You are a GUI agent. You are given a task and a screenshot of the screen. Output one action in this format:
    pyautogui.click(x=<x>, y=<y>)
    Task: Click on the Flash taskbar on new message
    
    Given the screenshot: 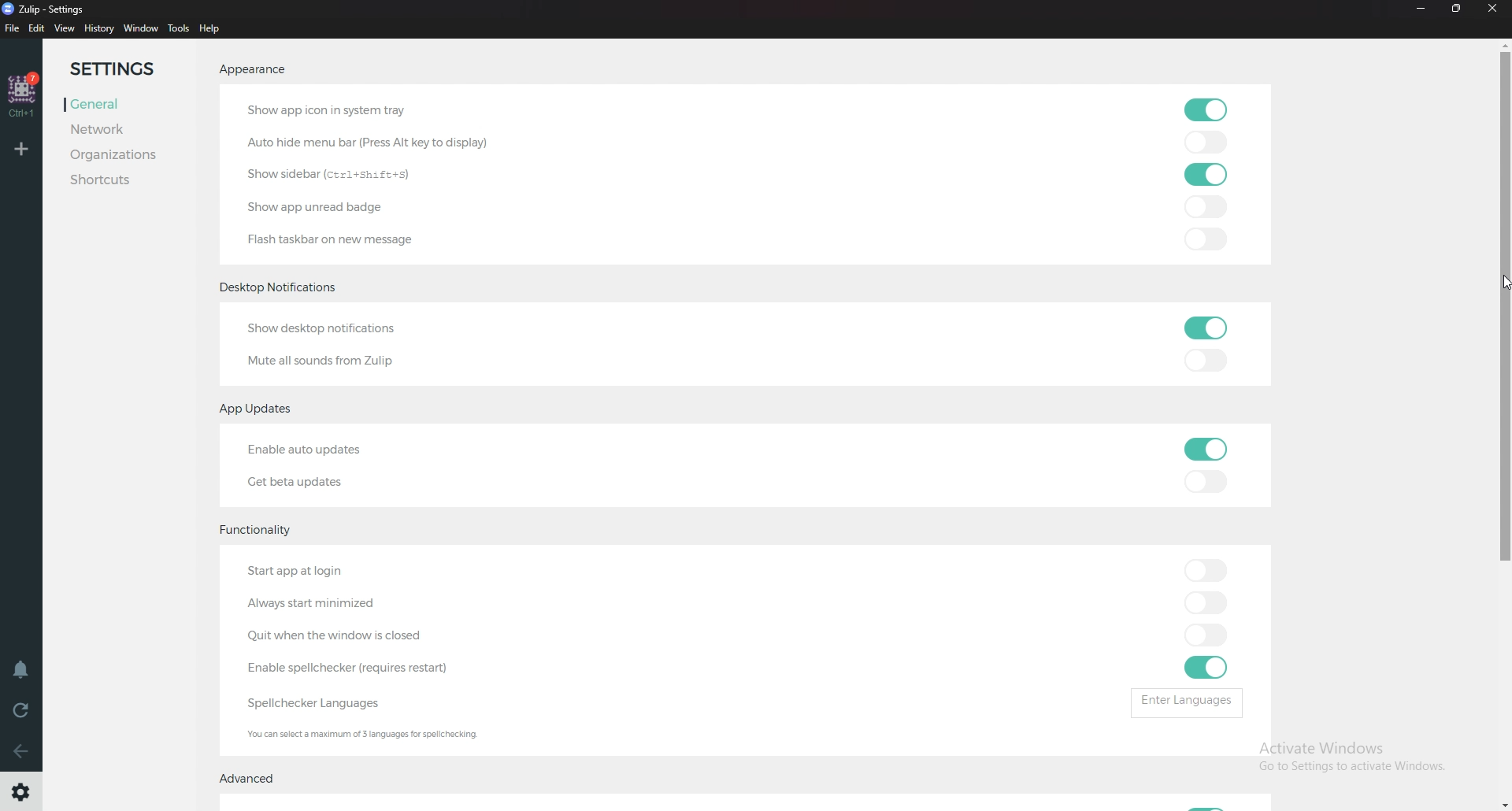 What is the action you would take?
    pyautogui.click(x=343, y=239)
    